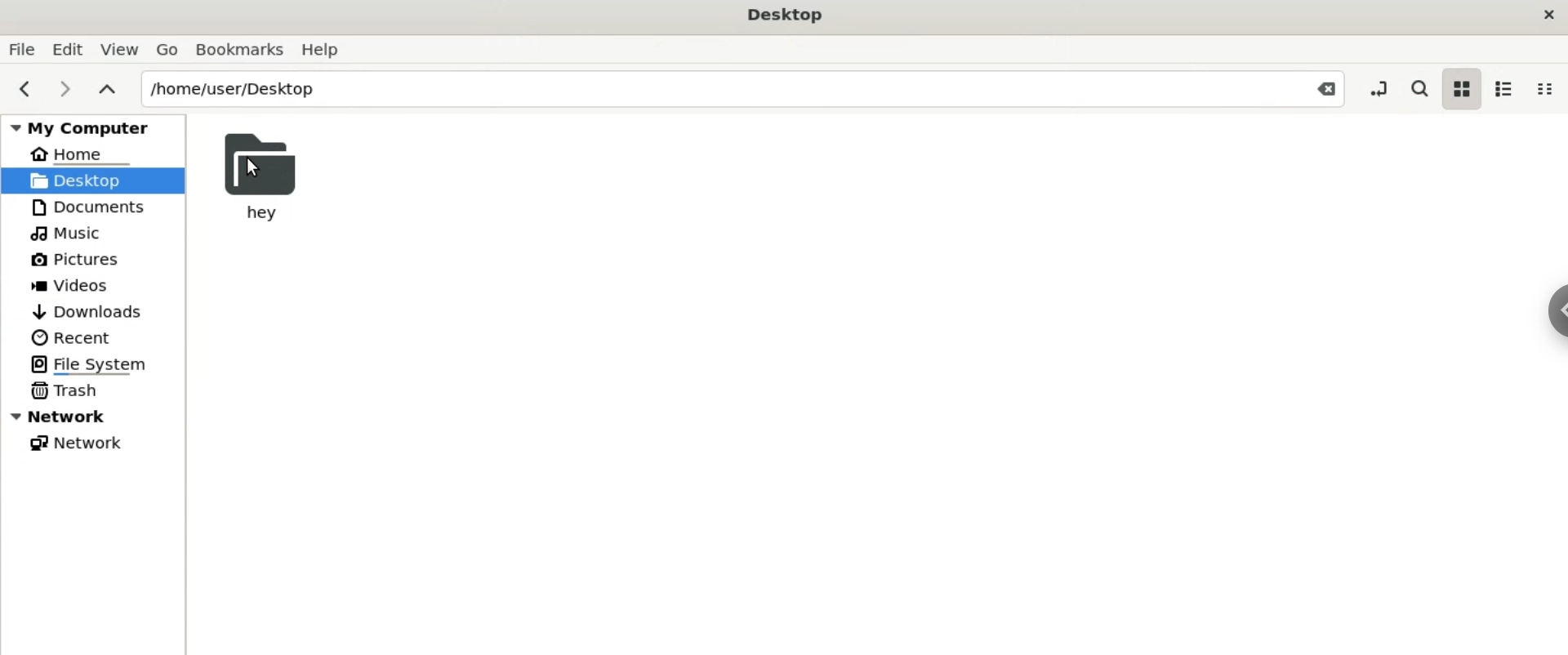  Describe the element at coordinates (743, 89) in the screenshot. I see `location: /home/user/Desktop` at that location.